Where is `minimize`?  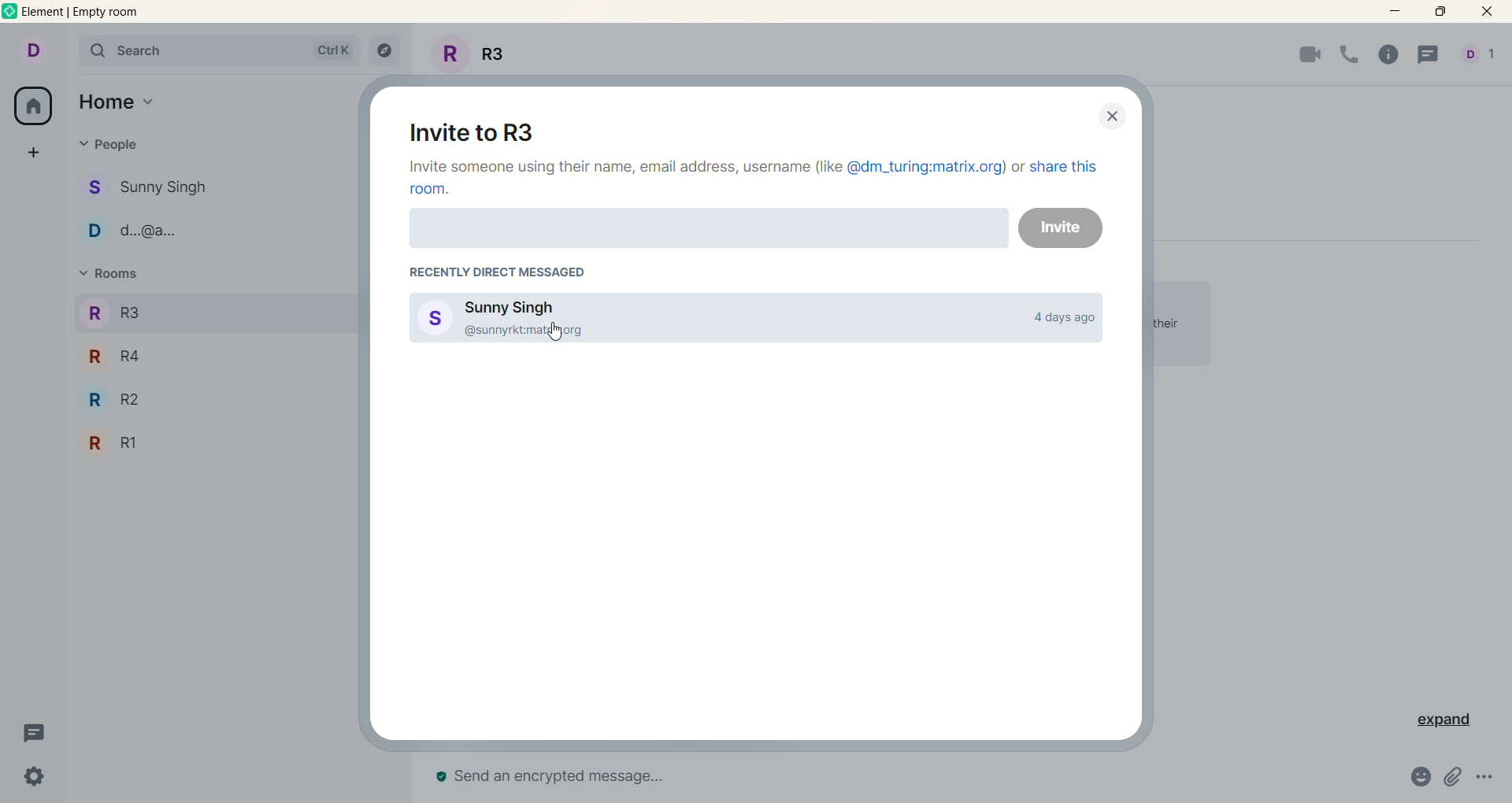
minimize is located at coordinates (1395, 16).